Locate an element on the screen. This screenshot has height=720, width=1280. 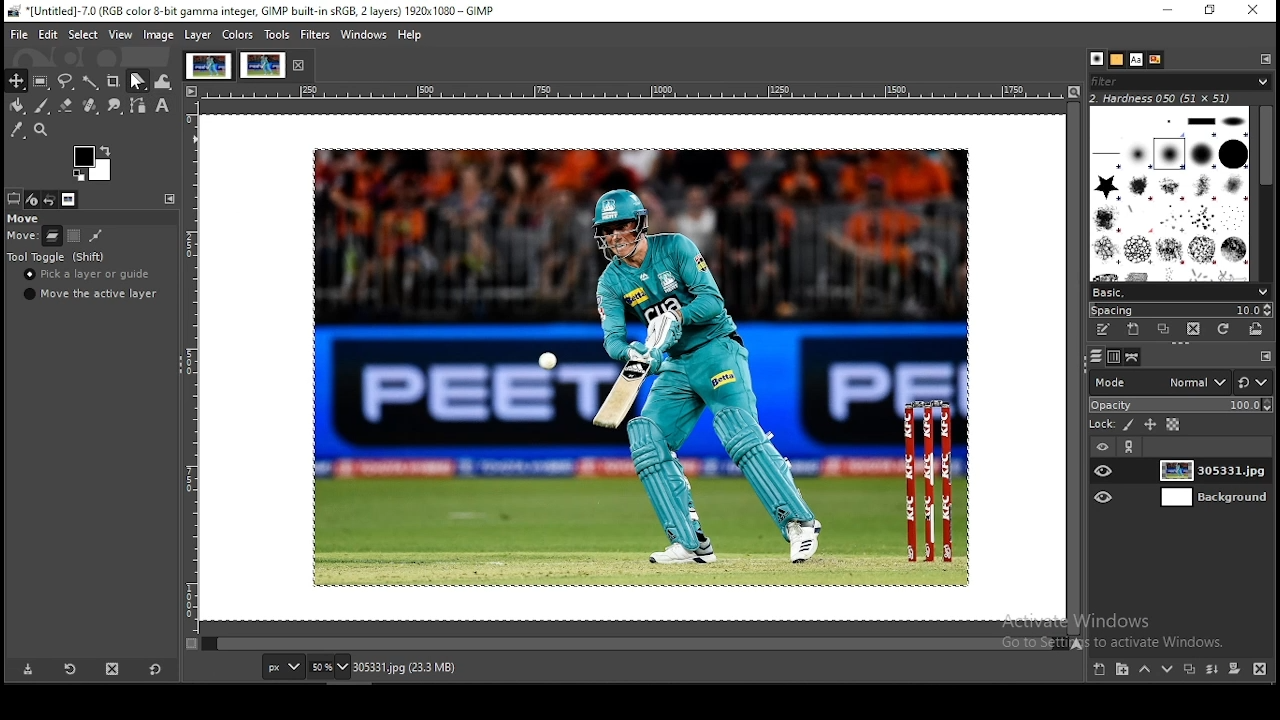
spacing is located at coordinates (1184, 310).